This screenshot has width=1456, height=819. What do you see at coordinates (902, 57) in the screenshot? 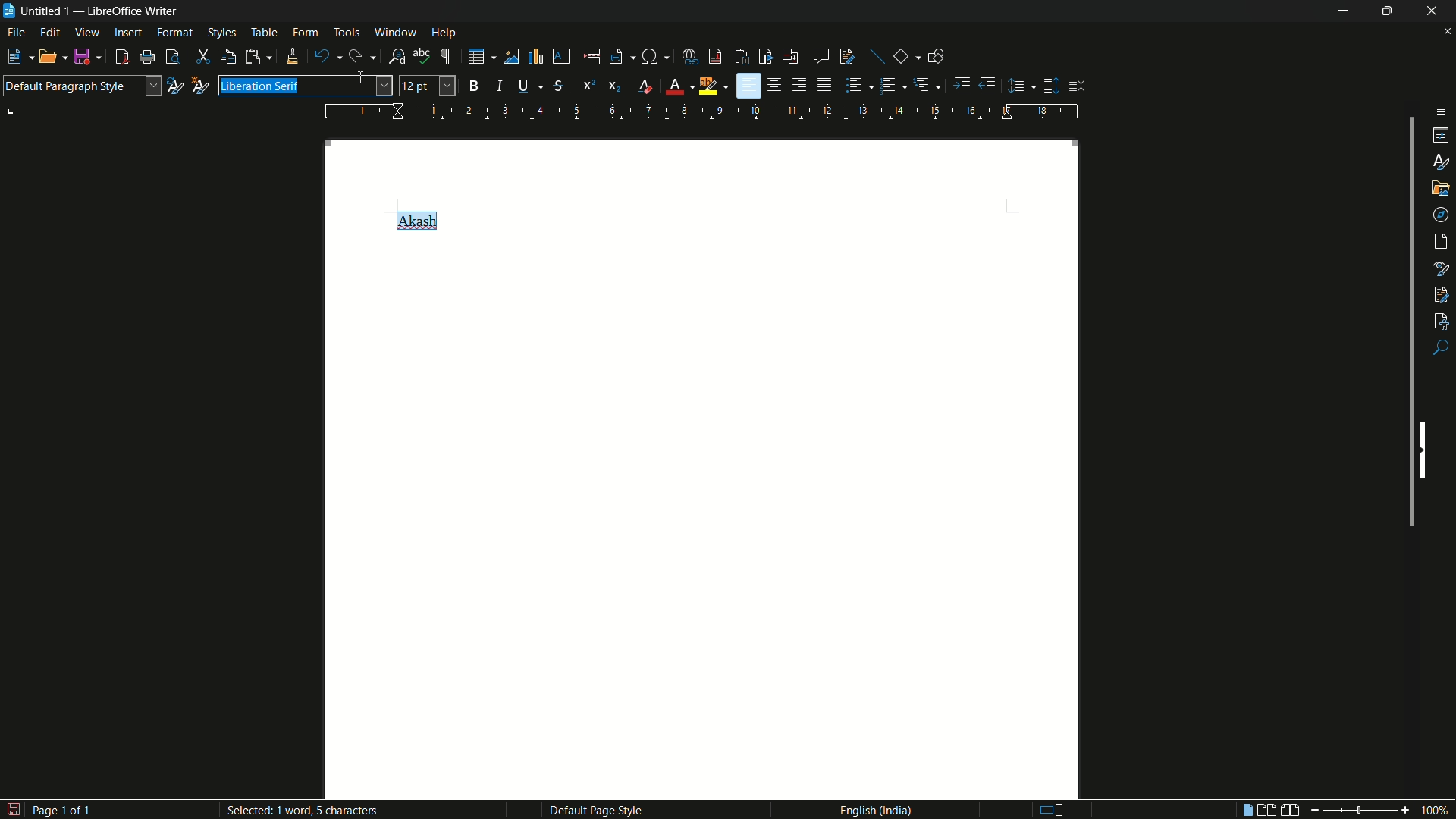
I see `basic shapes` at bounding box center [902, 57].